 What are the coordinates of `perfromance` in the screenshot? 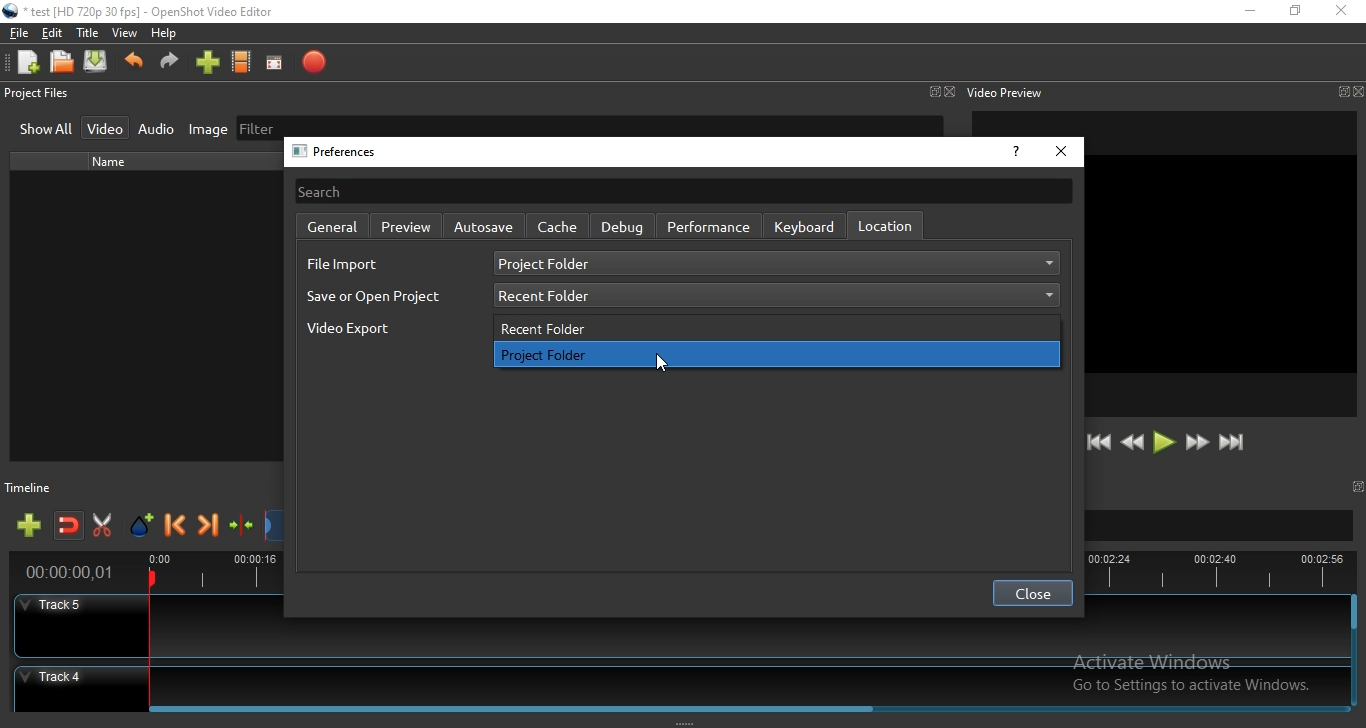 It's located at (709, 227).